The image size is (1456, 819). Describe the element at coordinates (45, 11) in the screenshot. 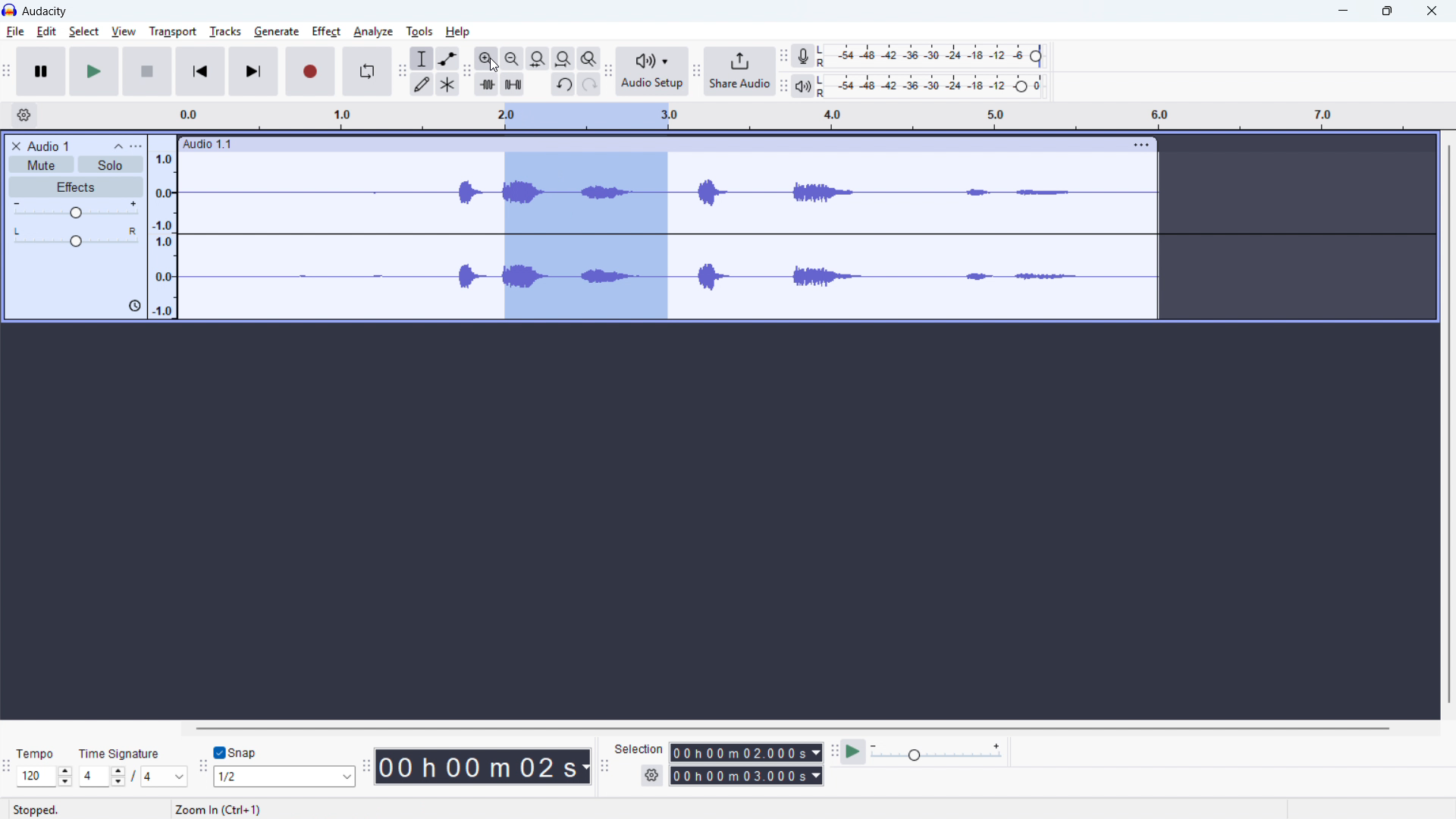

I see `audacity` at that location.